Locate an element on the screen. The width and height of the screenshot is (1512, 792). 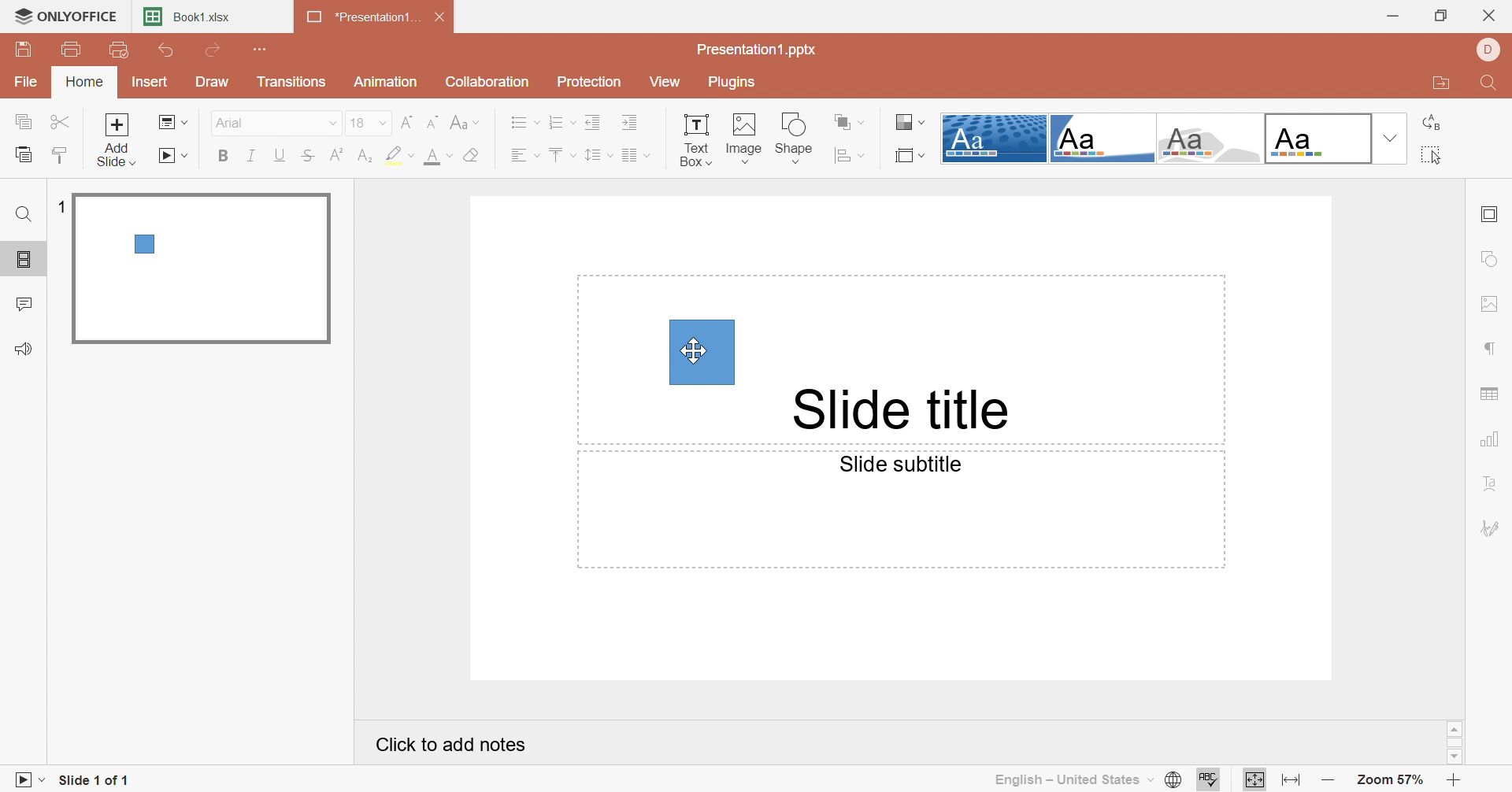
Shape is located at coordinates (702, 353).